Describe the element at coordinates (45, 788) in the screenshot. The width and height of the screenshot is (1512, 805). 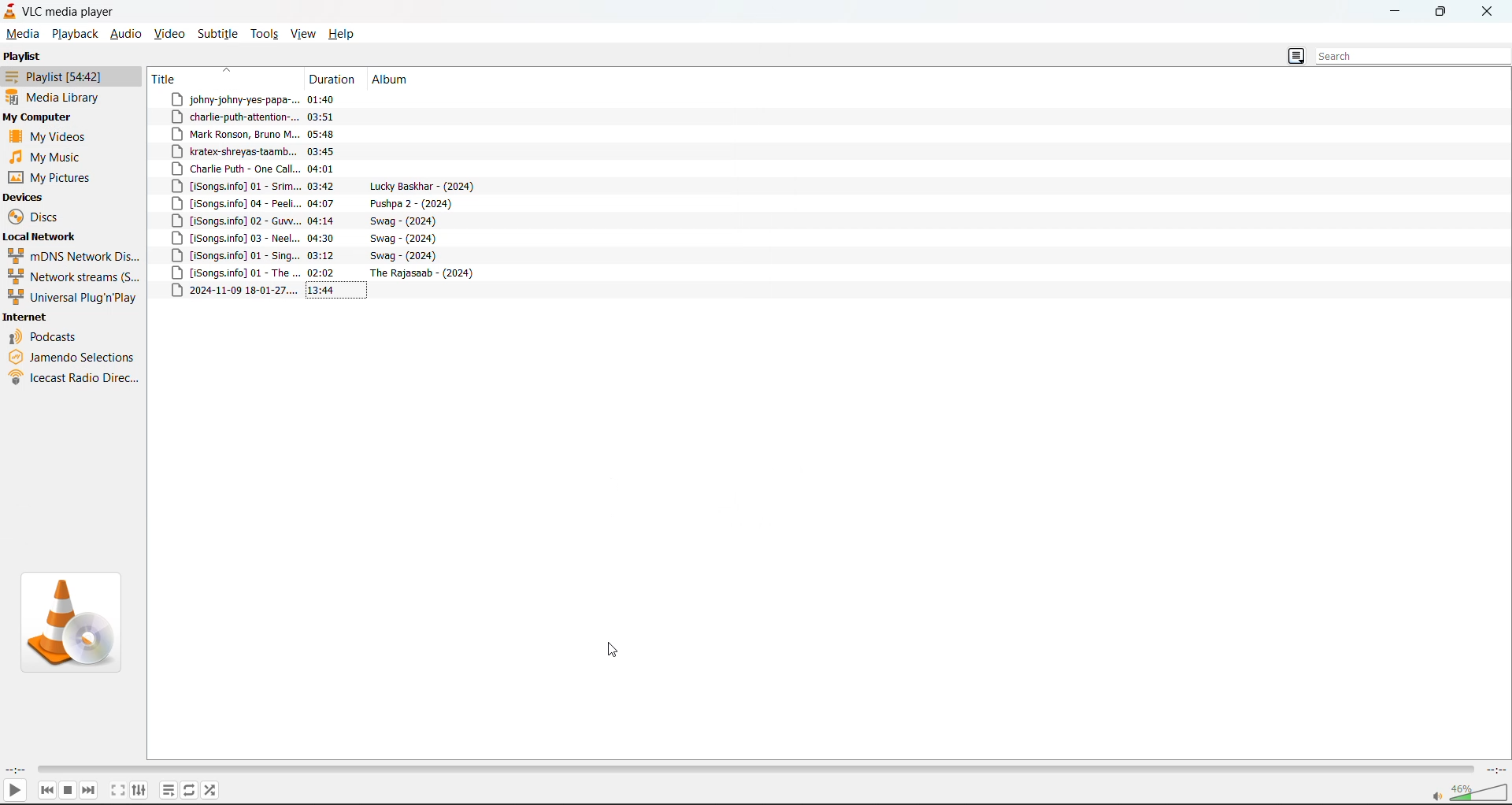
I see `previous` at that location.